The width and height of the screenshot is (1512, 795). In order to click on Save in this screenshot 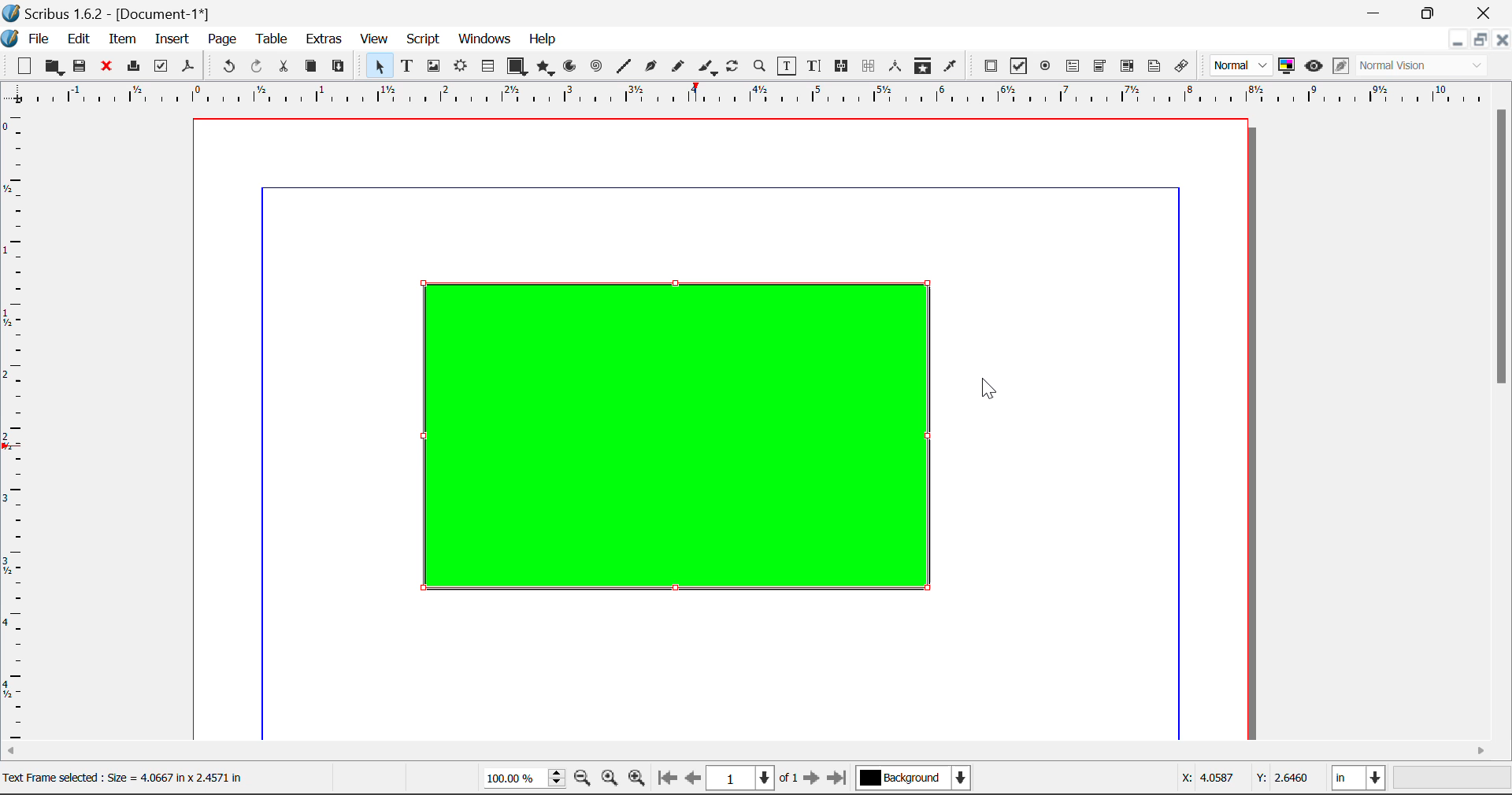, I will do `click(81, 66)`.